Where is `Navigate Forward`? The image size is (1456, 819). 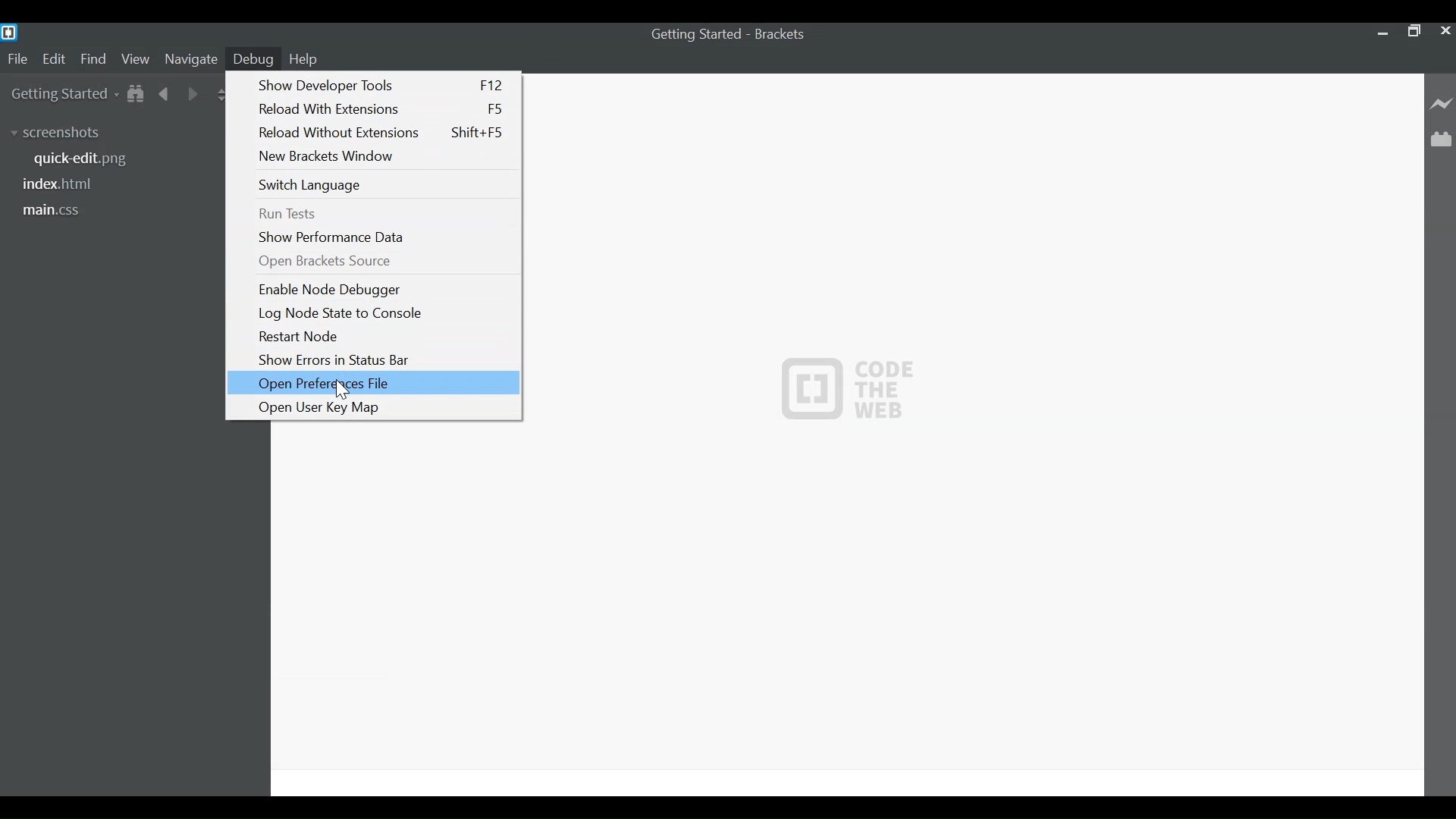 Navigate Forward is located at coordinates (193, 94).